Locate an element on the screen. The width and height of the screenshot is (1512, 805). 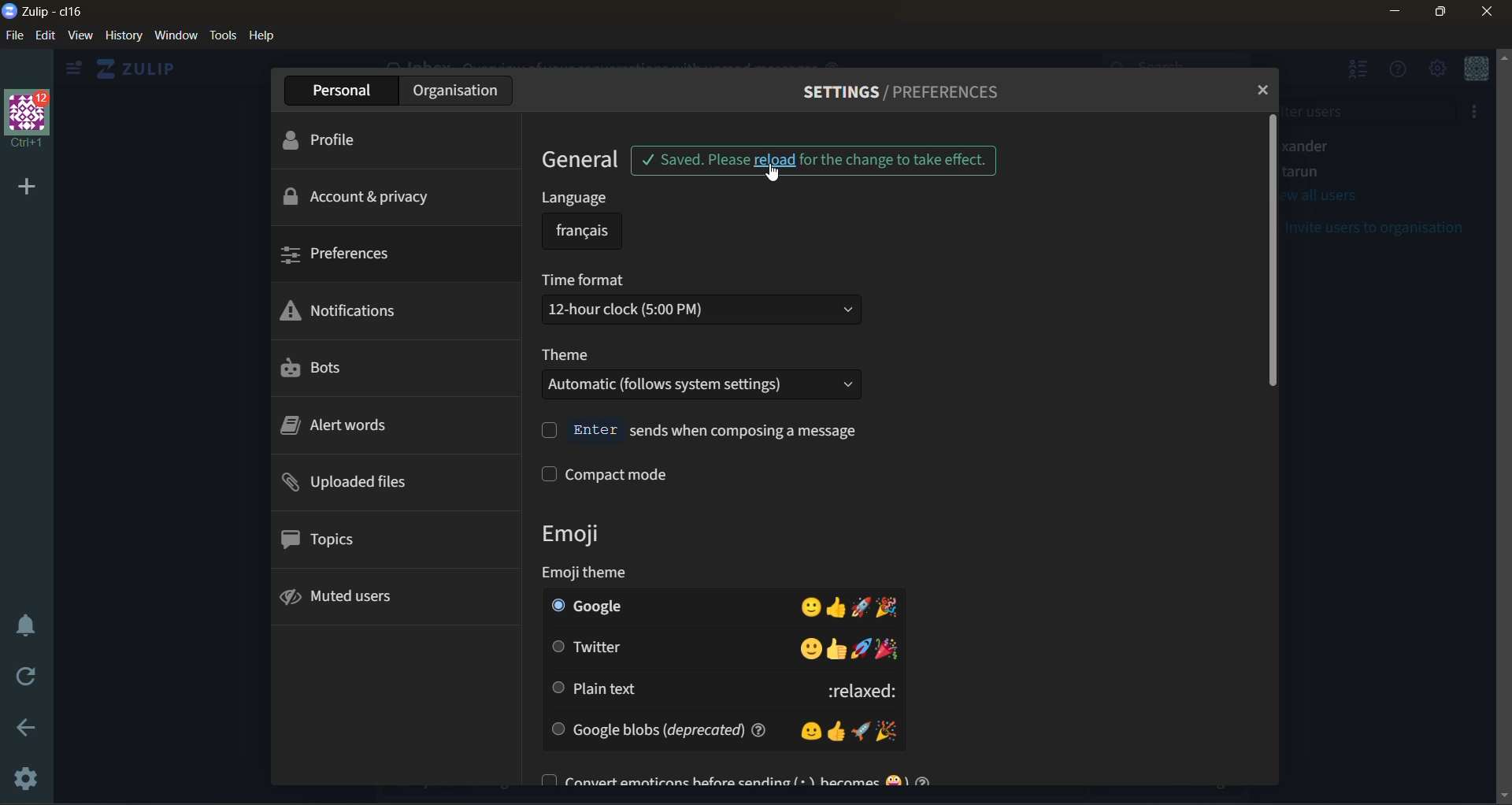
compact mode is located at coordinates (655, 475).